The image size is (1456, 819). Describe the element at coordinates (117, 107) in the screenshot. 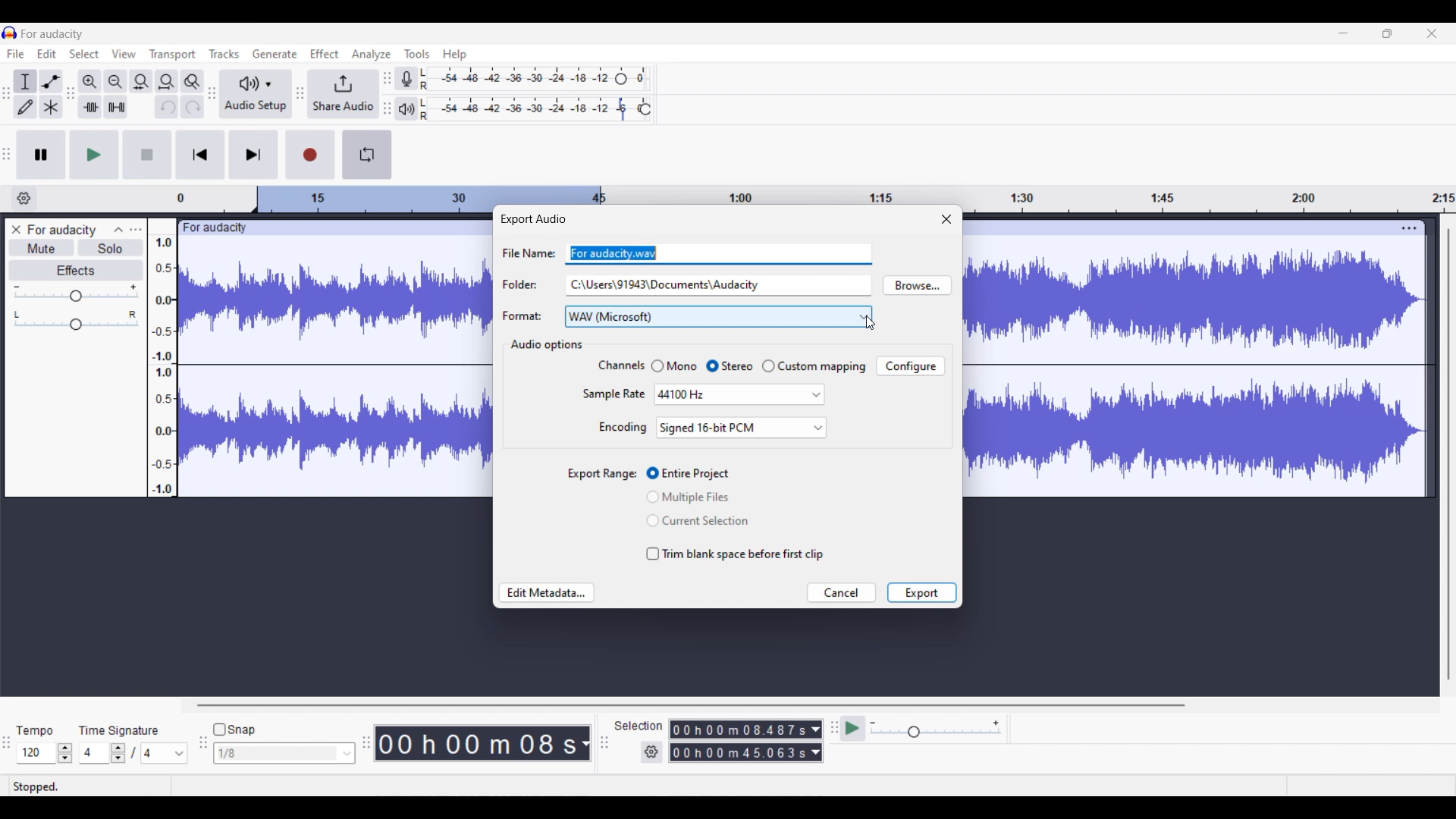

I see `Silence audio selection` at that location.